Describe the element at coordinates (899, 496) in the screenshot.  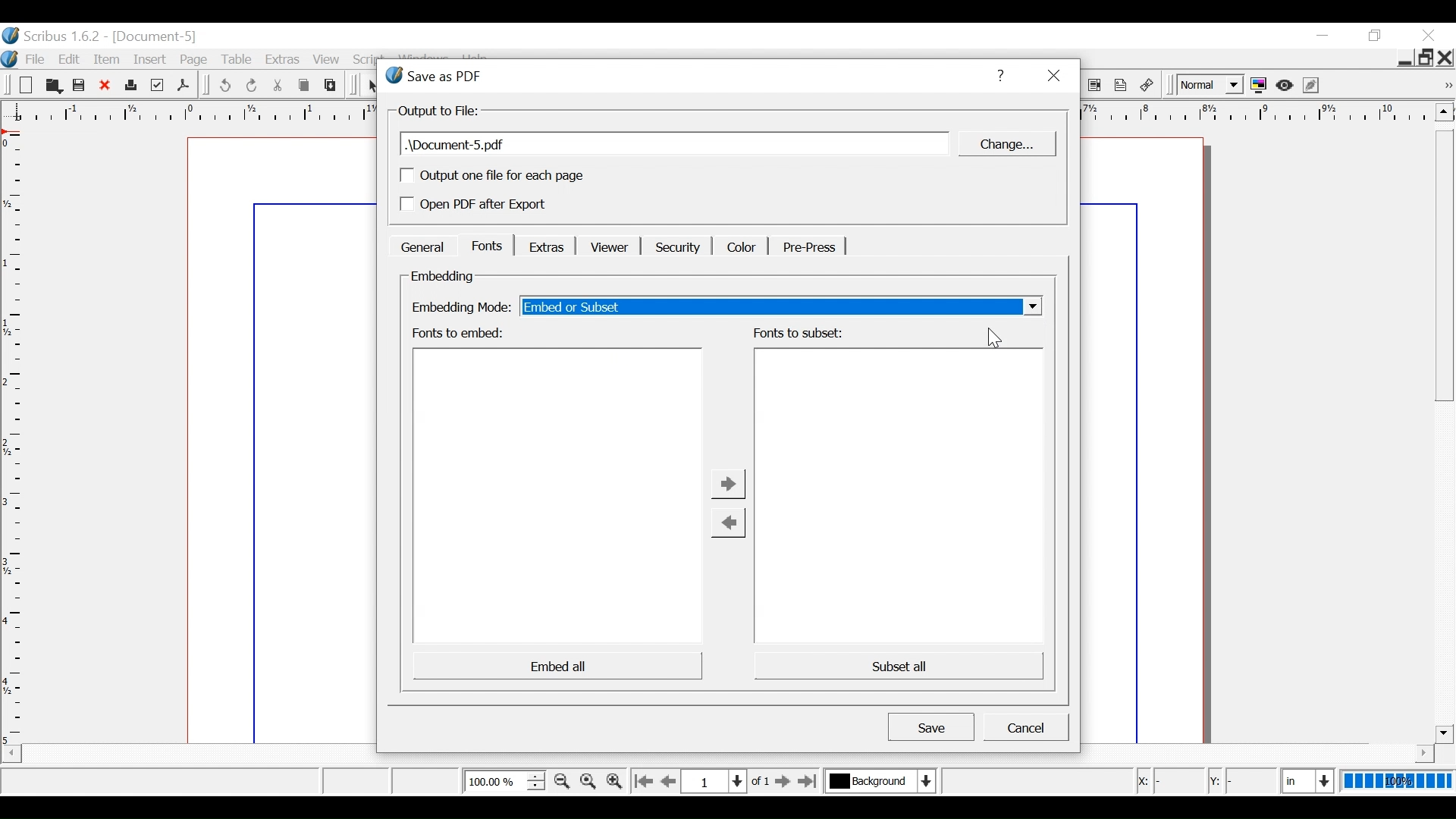
I see `Subset Preview` at that location.